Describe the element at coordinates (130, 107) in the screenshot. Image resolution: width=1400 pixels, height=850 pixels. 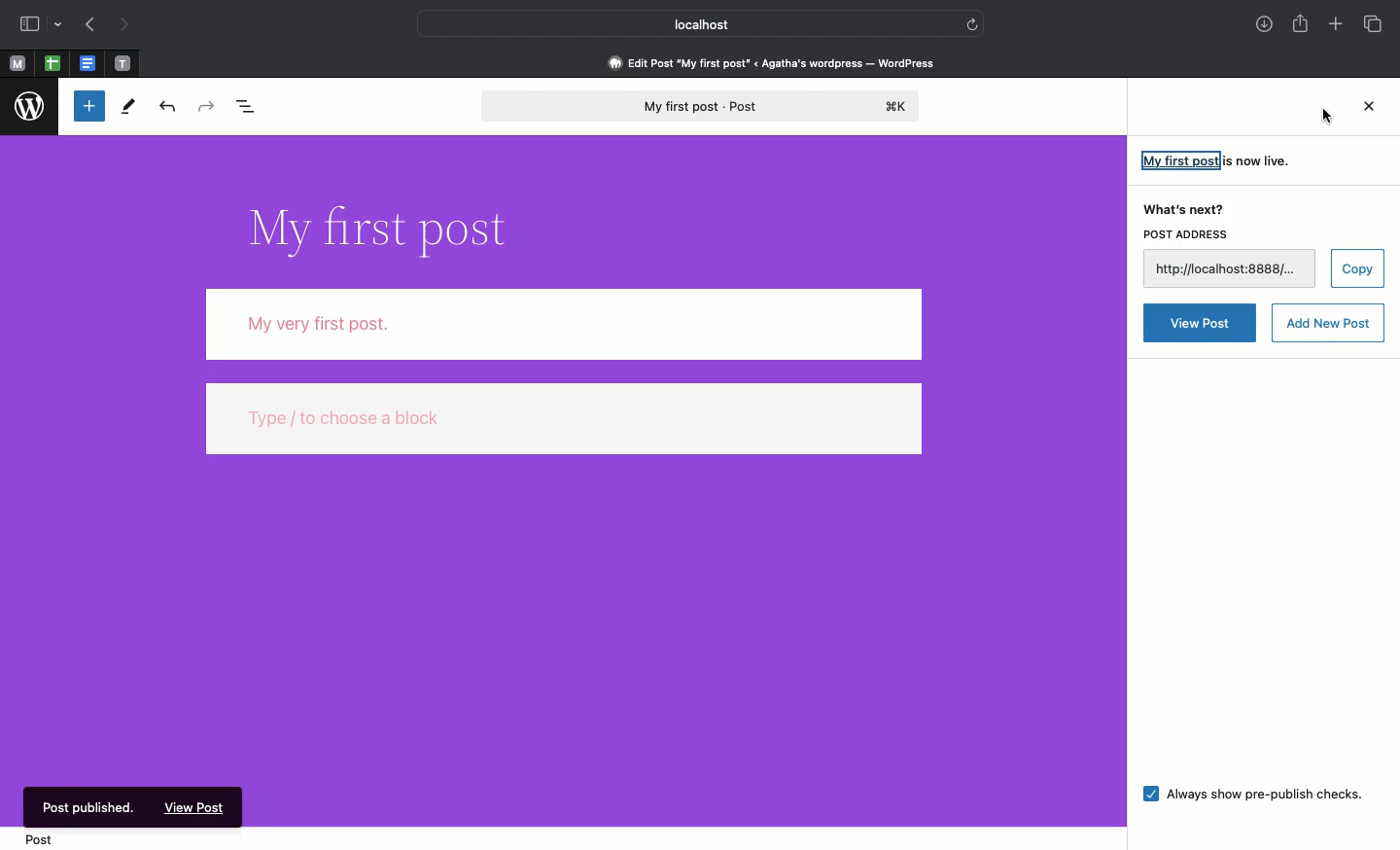
I see `Tools` at that location.